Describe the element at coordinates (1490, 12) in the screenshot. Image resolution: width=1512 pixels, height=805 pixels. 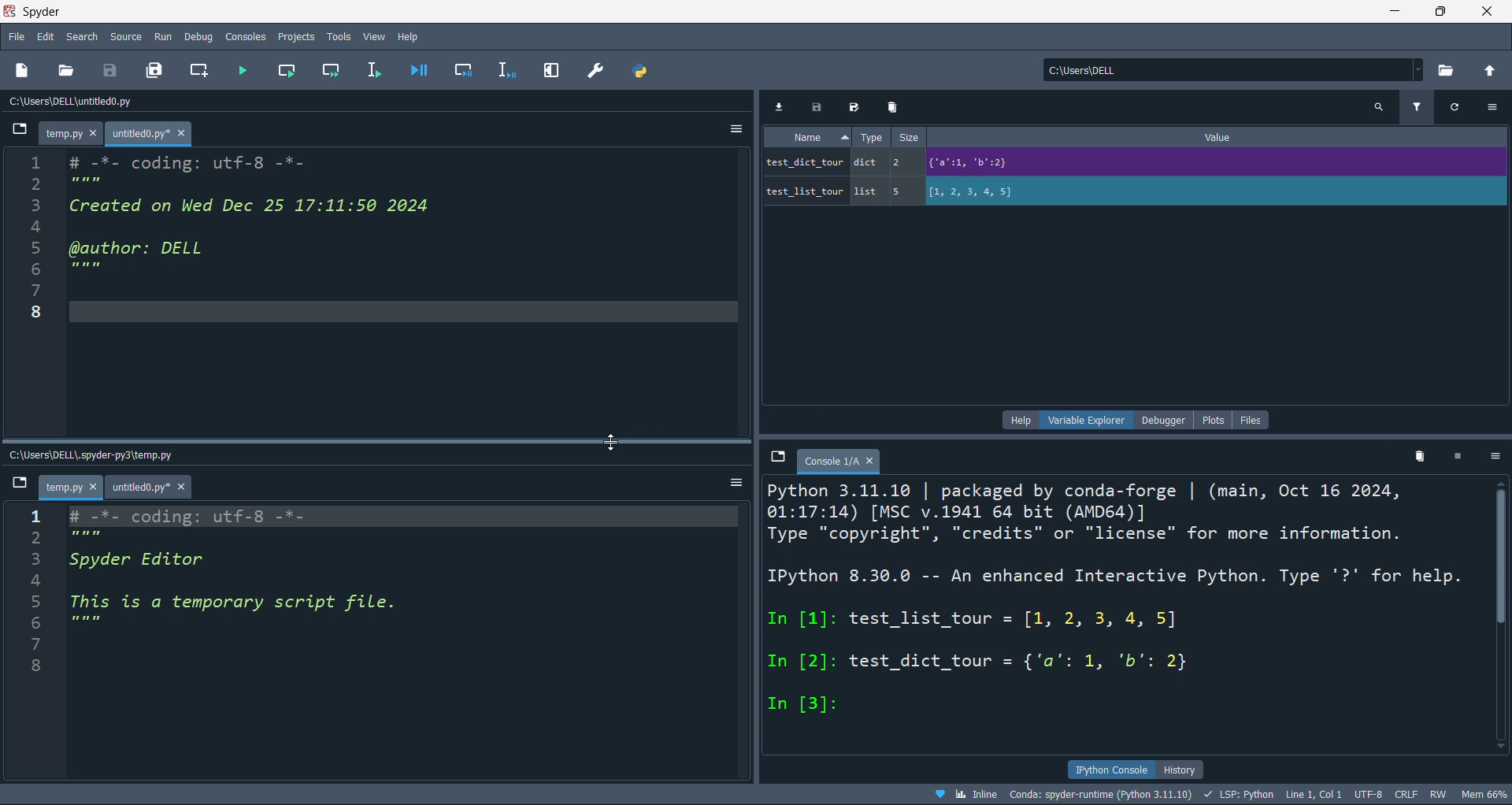
I see `close` at that location.